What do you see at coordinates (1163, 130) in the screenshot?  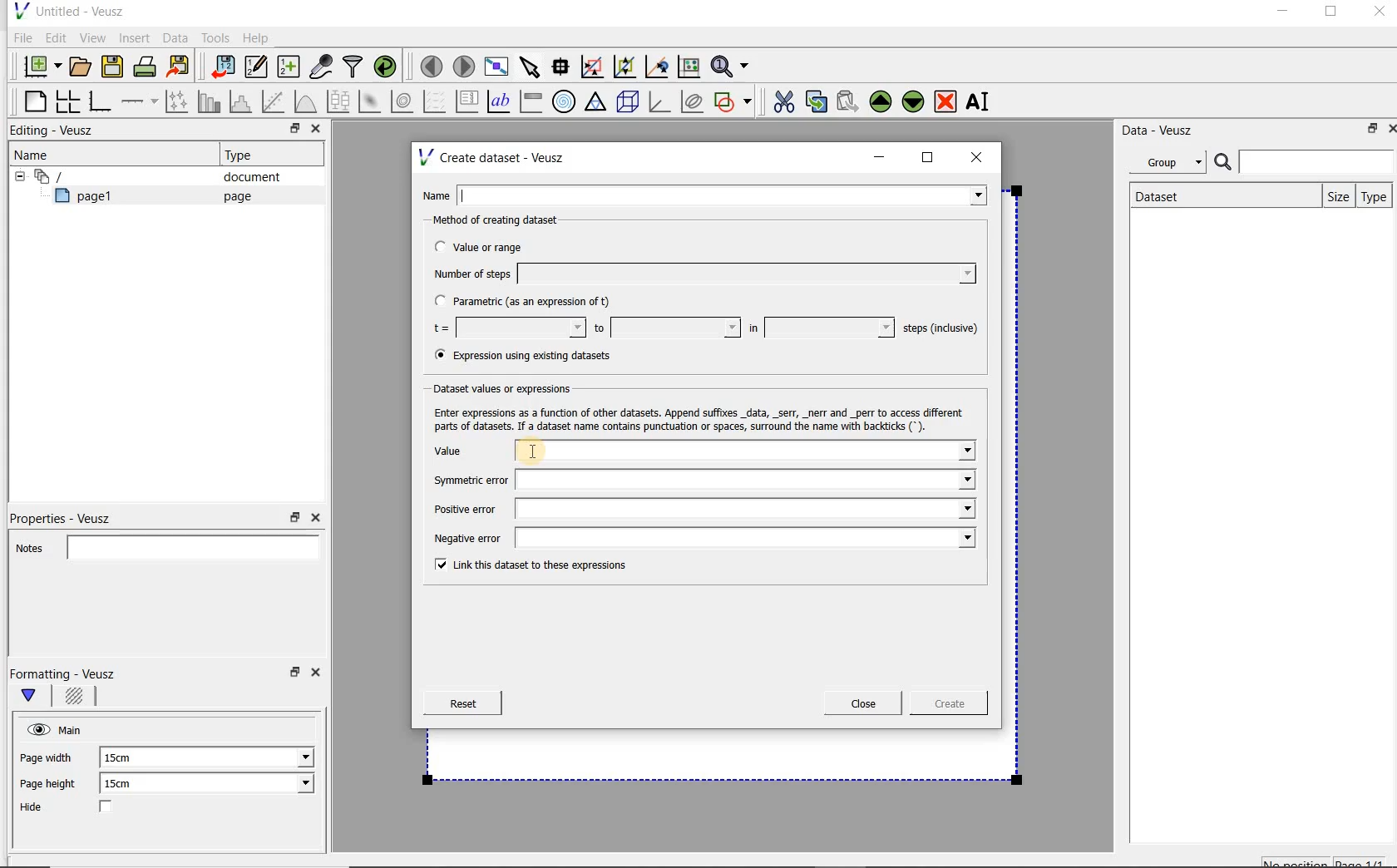 I see `Data - Veusz` at bounding box center [1163, 130].